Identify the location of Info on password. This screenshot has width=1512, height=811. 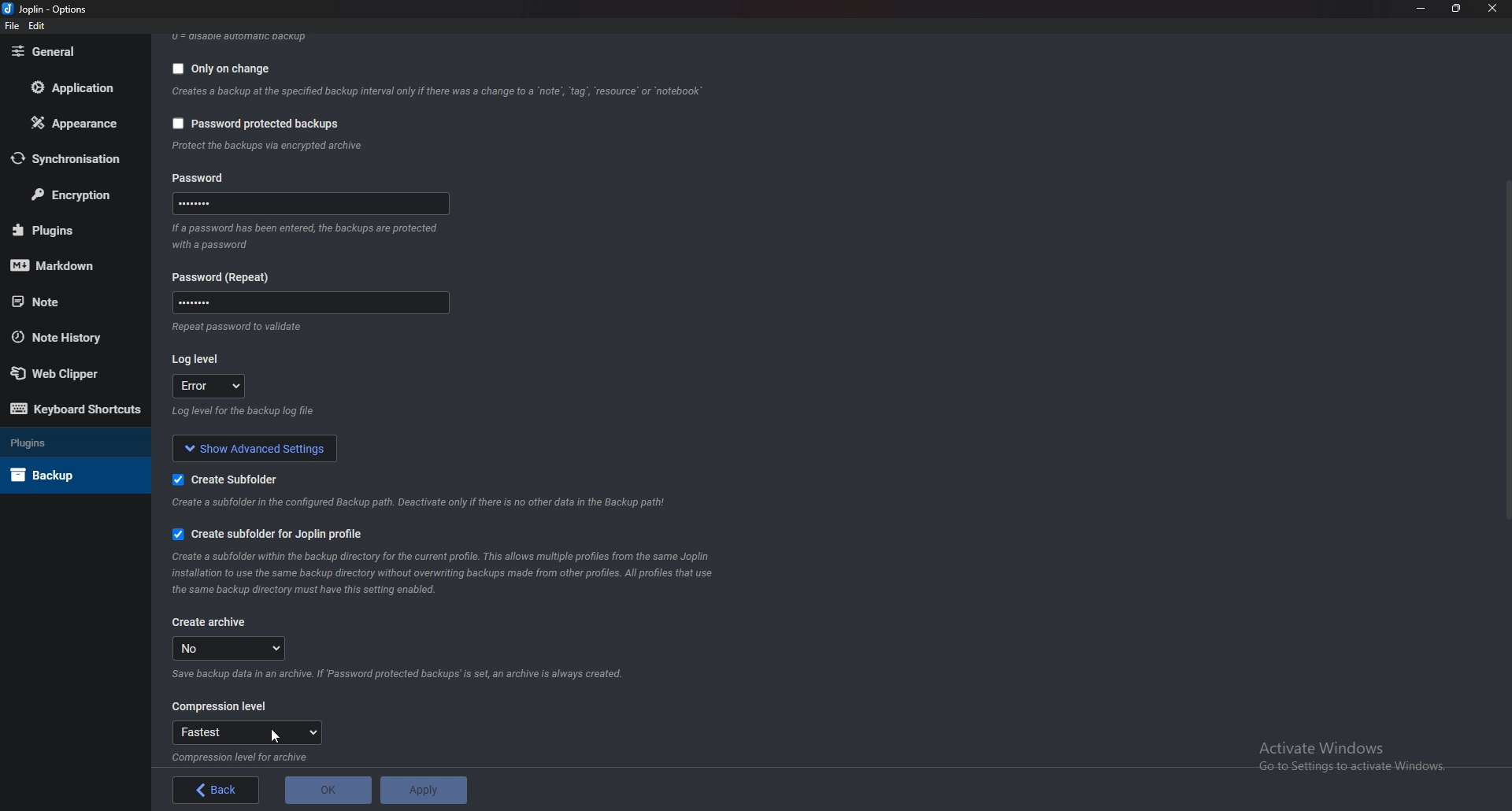
(243, 330).